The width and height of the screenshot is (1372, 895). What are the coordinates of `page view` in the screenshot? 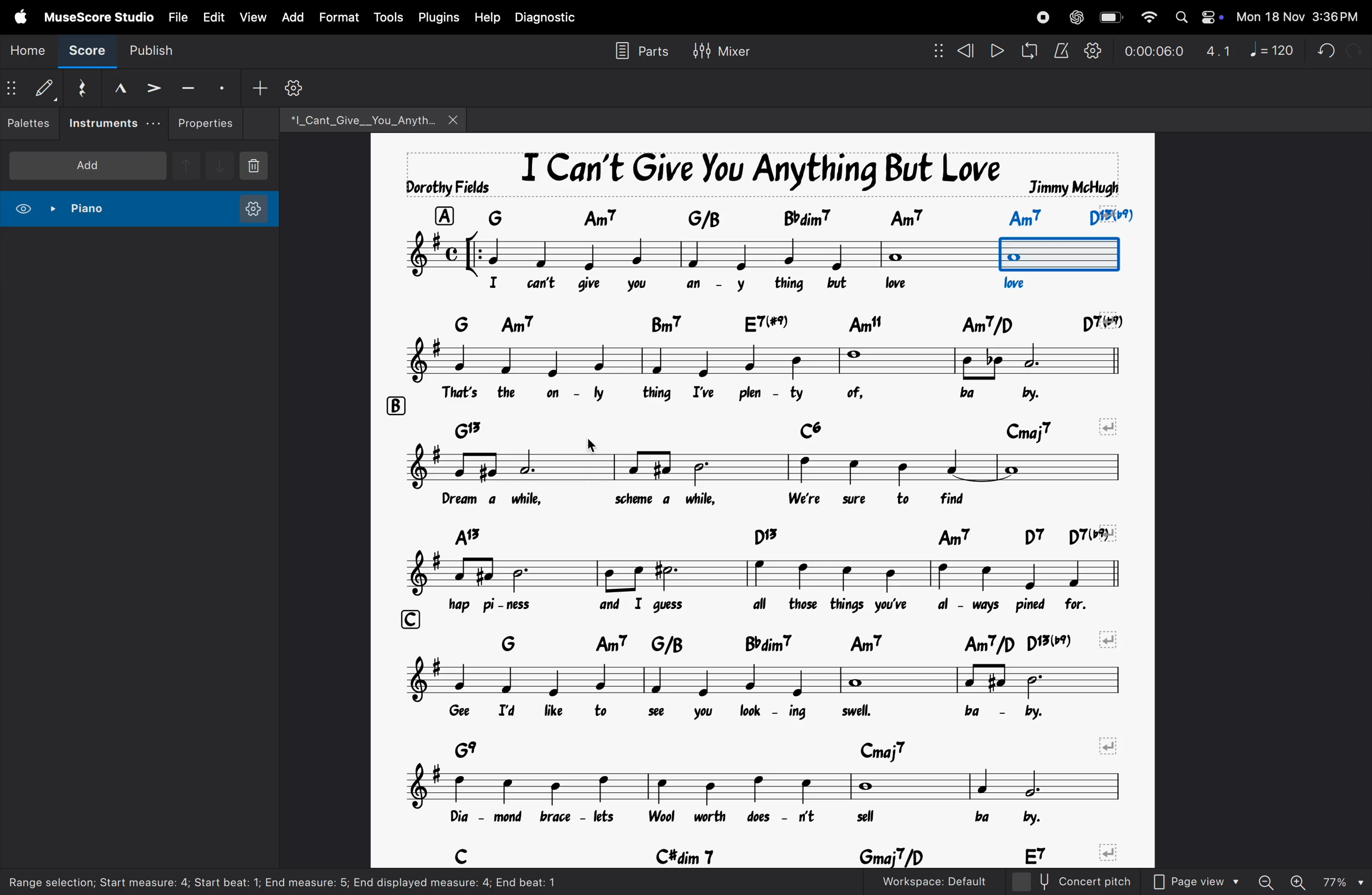 It's located at (1195, 881).